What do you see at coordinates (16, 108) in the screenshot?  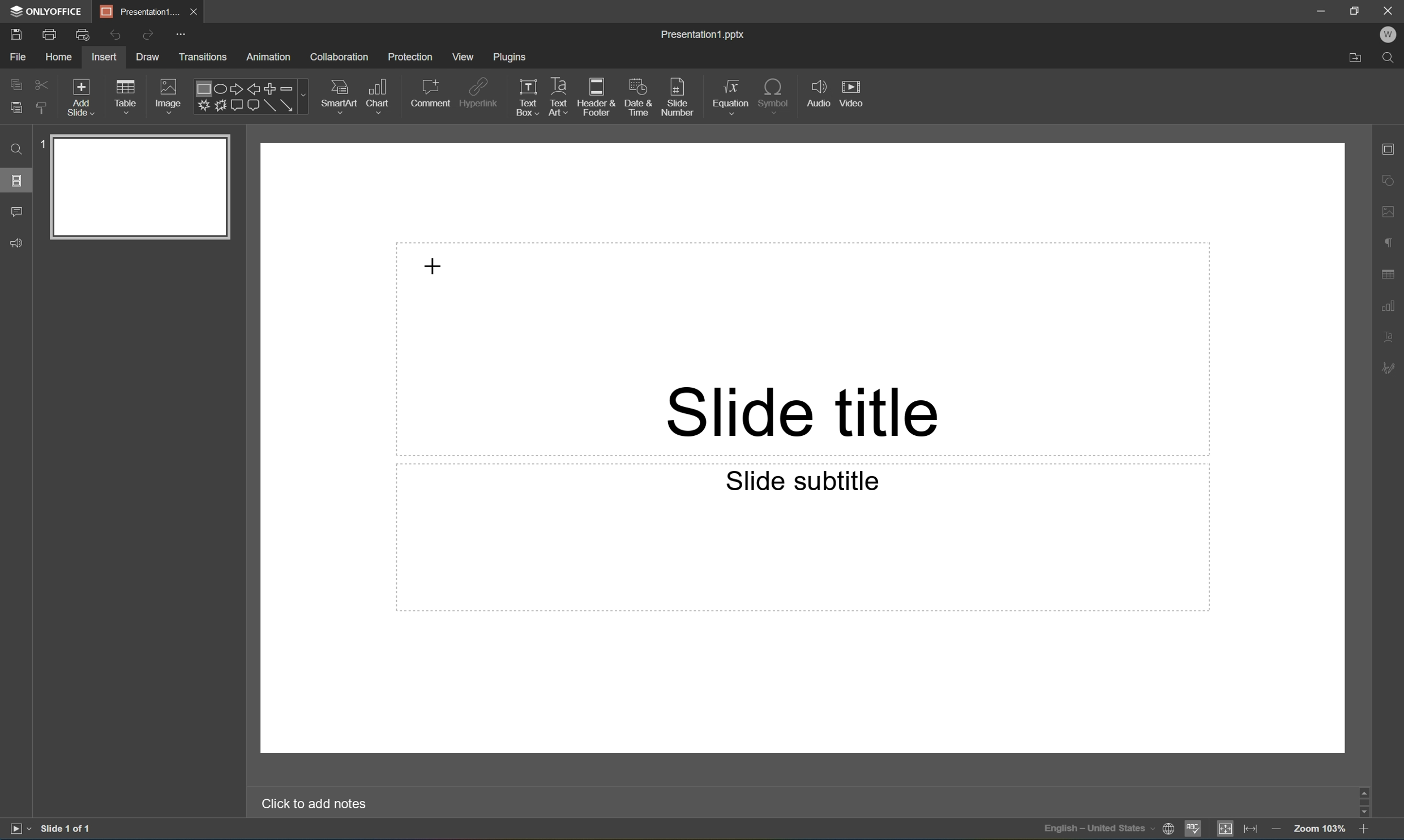 I see `Paste` at bounding box center [16, 108].